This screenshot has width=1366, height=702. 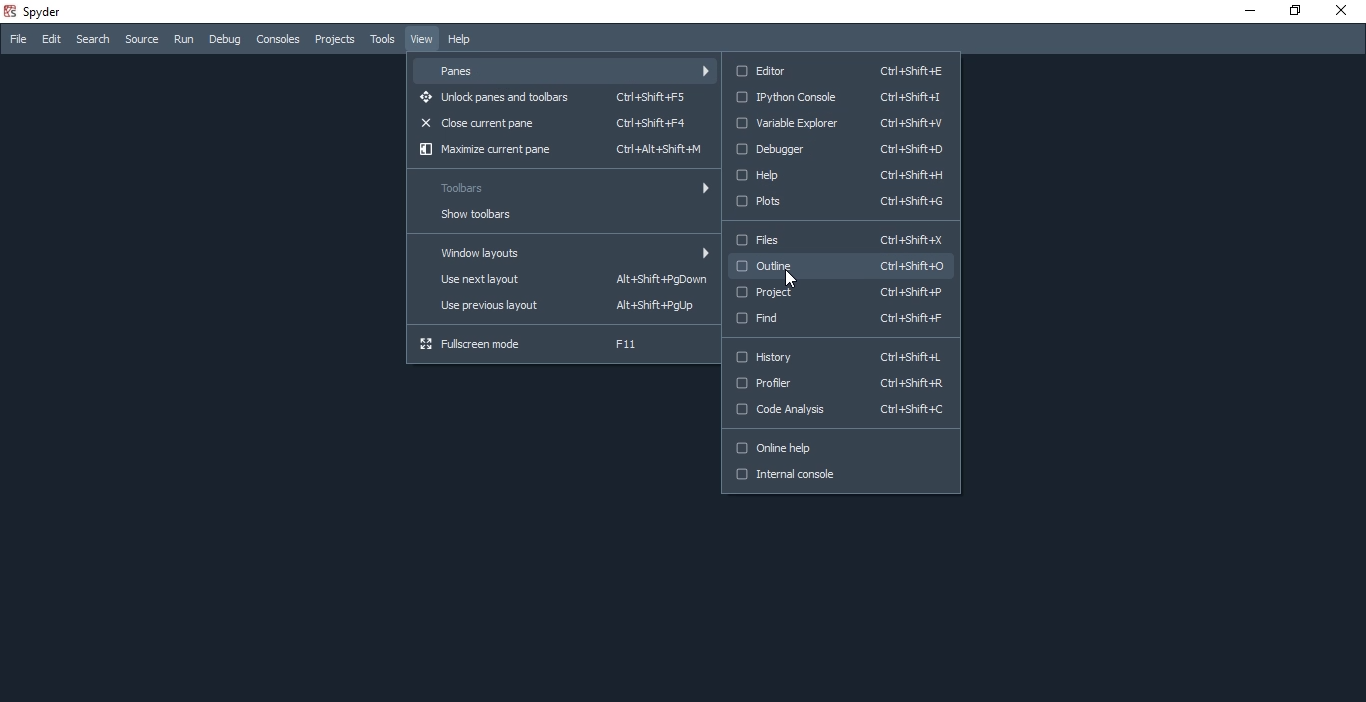 I want to click on Find, so click(x=839, y=322).